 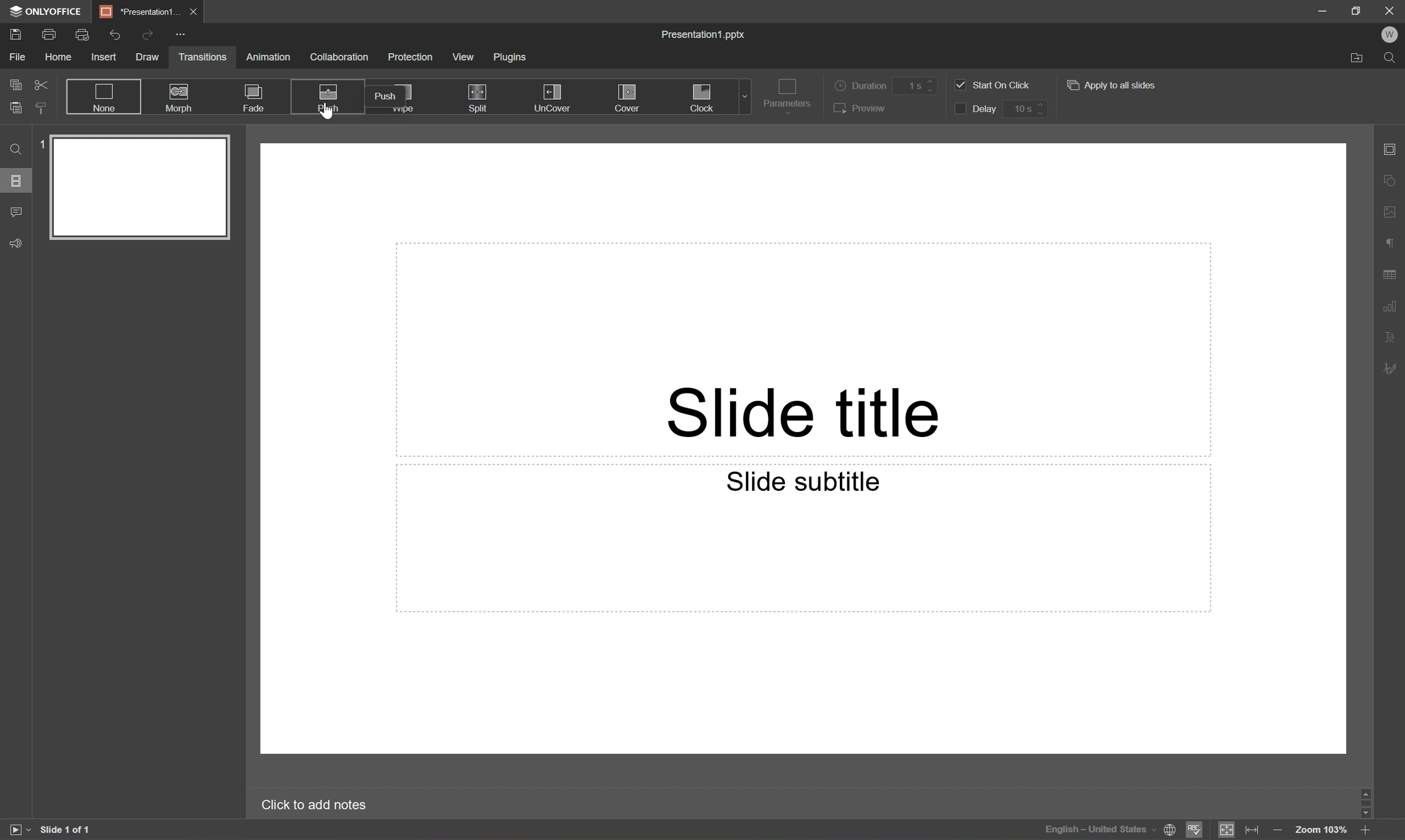 I want to click on Apply to all slides, so click(x=1115, y=84).